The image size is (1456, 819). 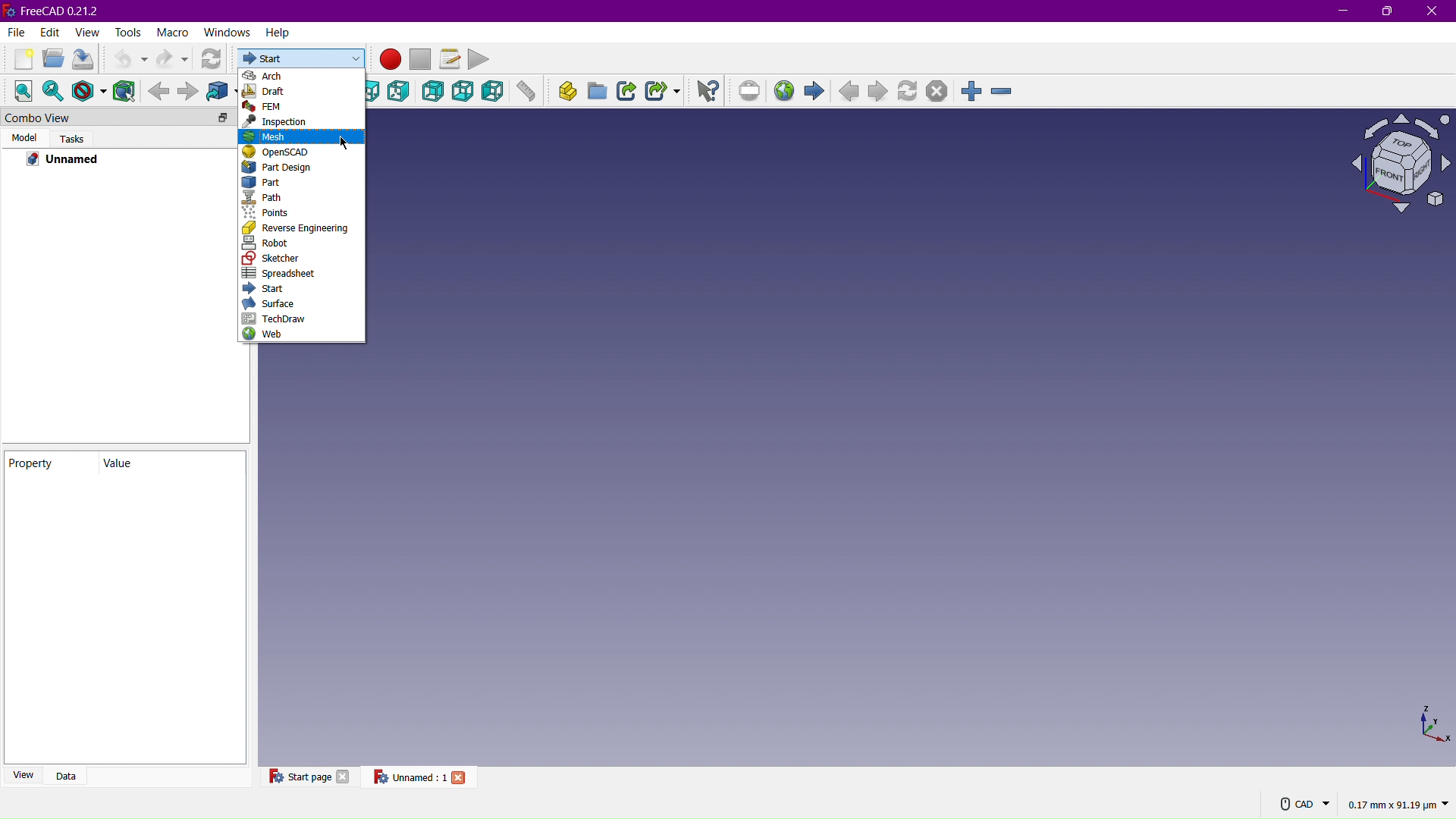 I want to click on Arch, so click(x=303, y=76).